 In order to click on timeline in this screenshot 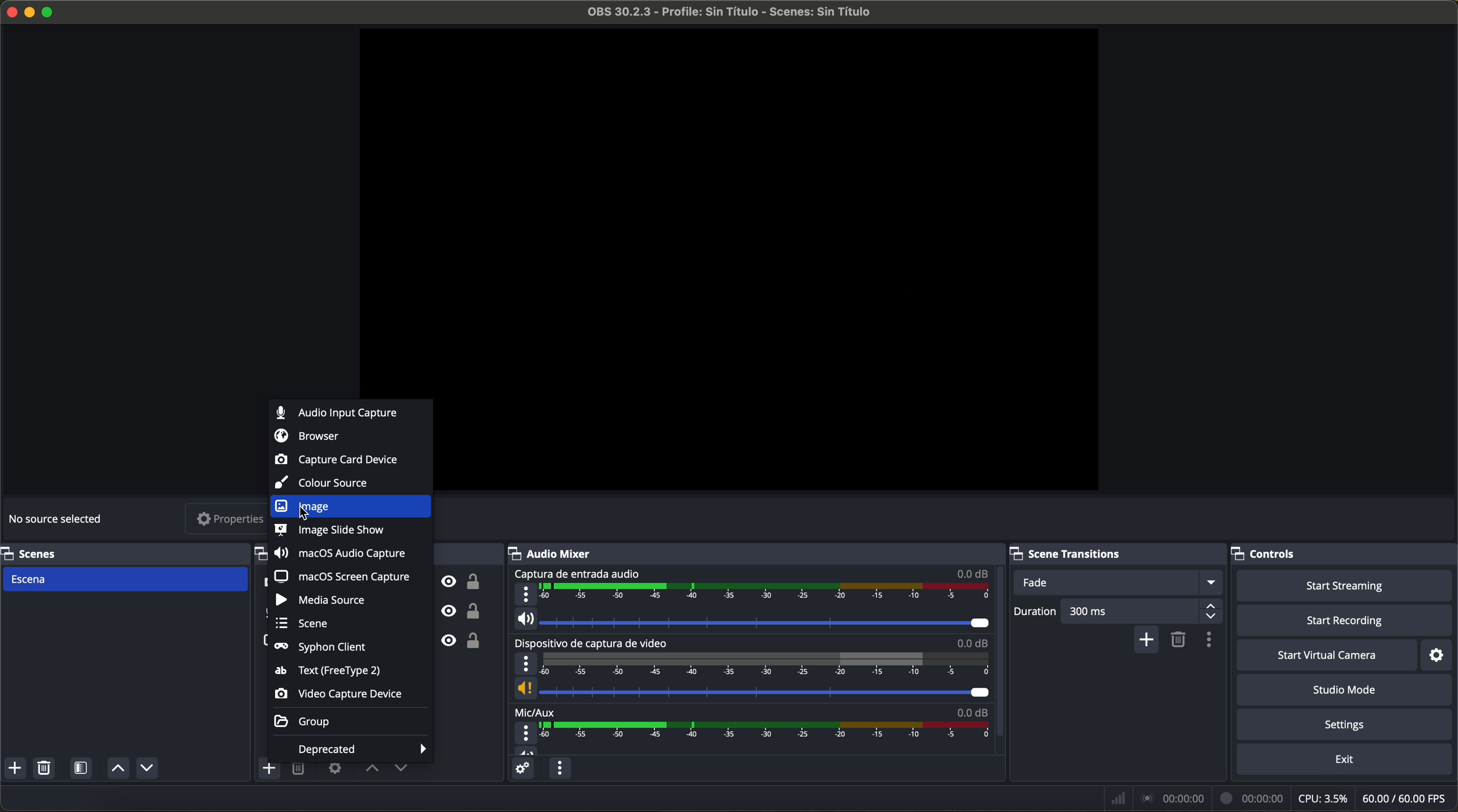, I will do `click(766, 593)`.